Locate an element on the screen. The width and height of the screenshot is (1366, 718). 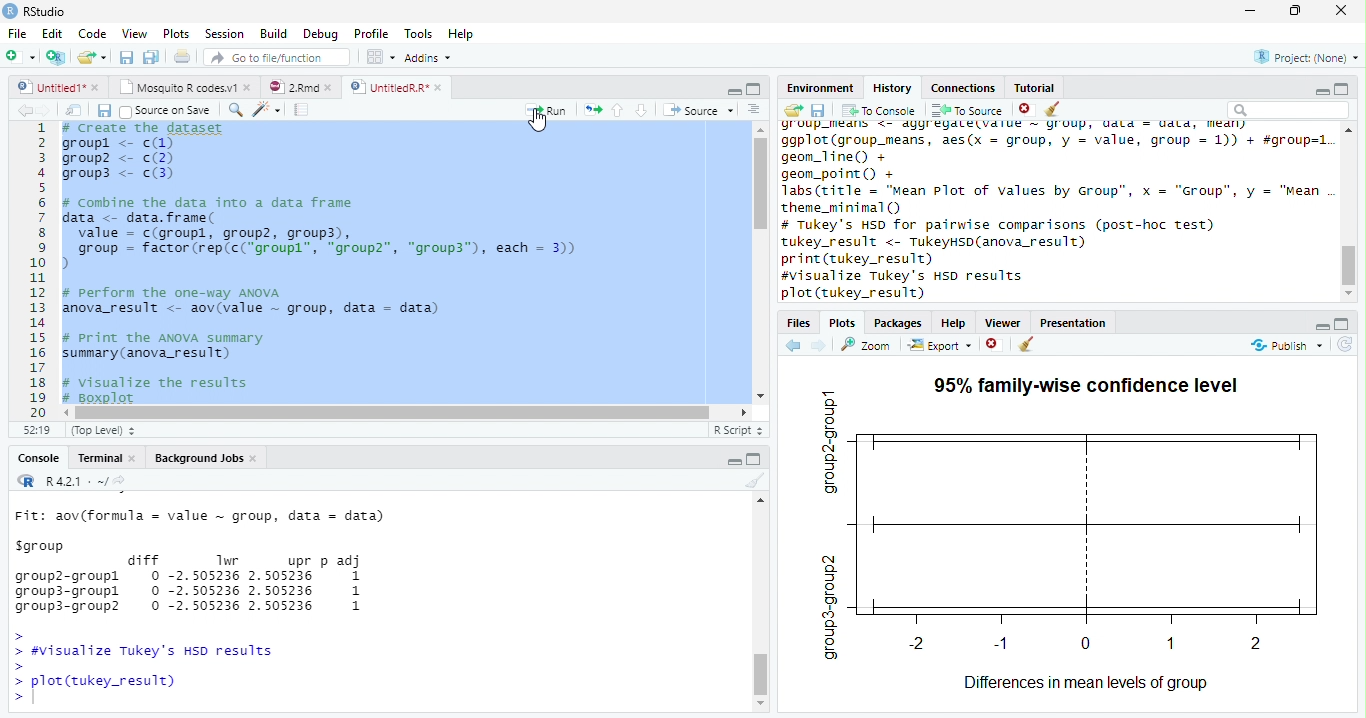
Plots is located at coordinates (176, 34).